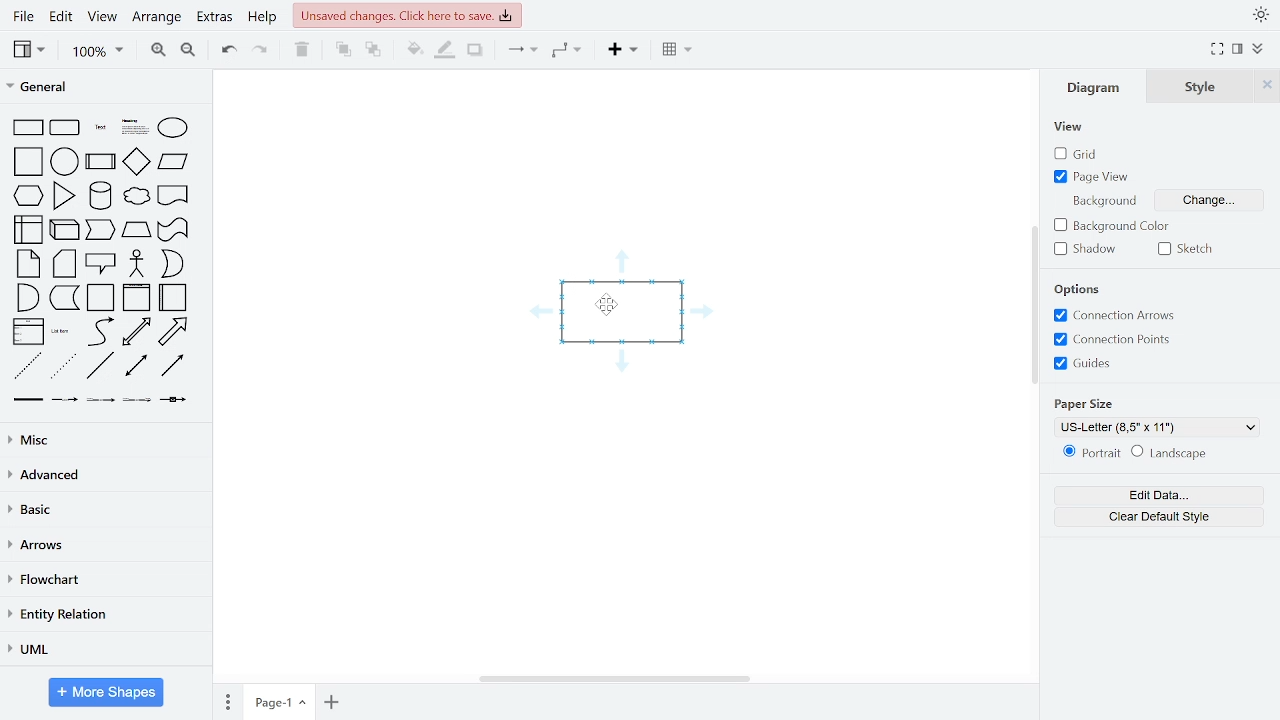 This screenshot has height=720, width=1280. I want to click on flowchart, so click(103, 581).